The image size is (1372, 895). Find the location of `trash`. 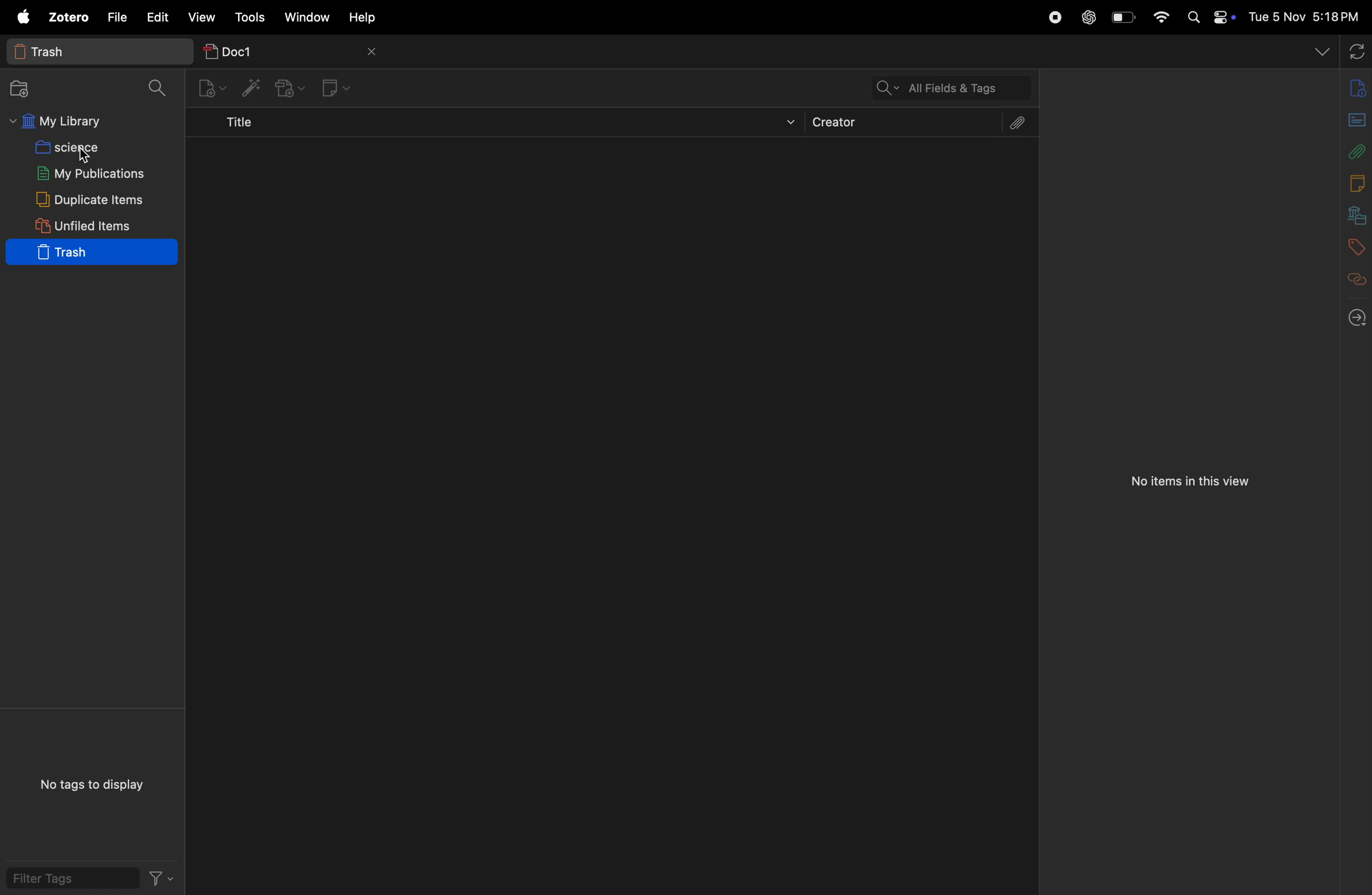

trash is located at coordinates (93, 50).